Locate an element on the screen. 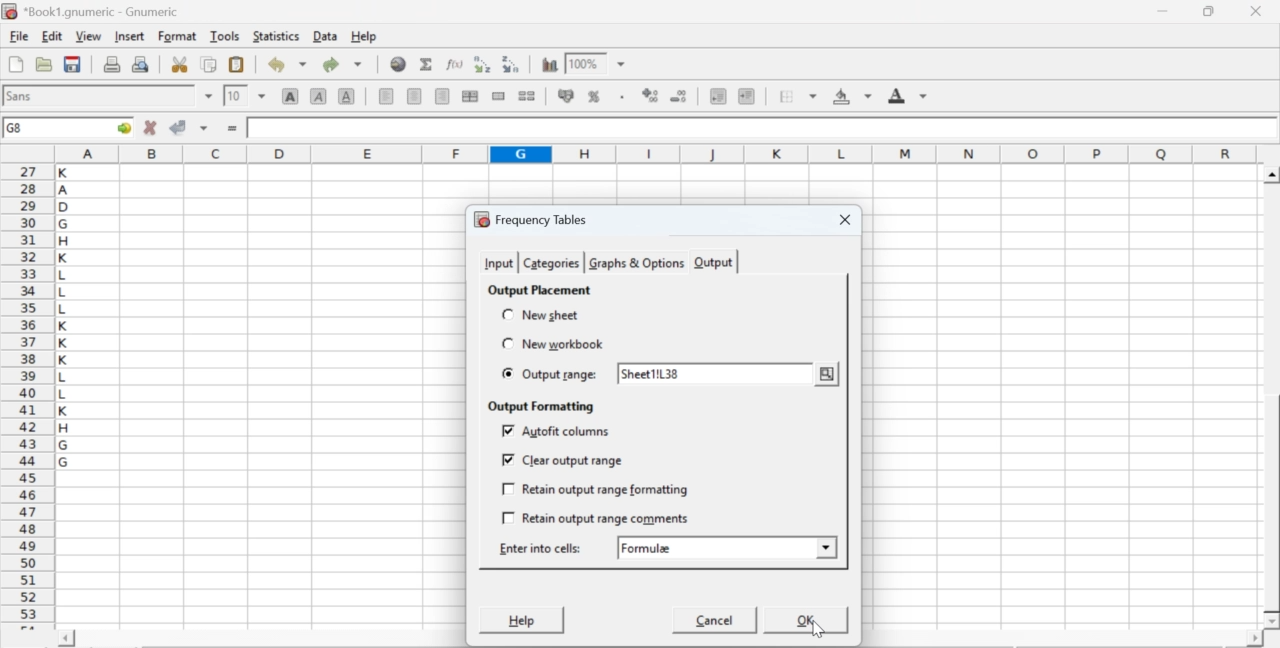 This screenshot has height=648, width=1280. go to is located at coordinates (122, 127).